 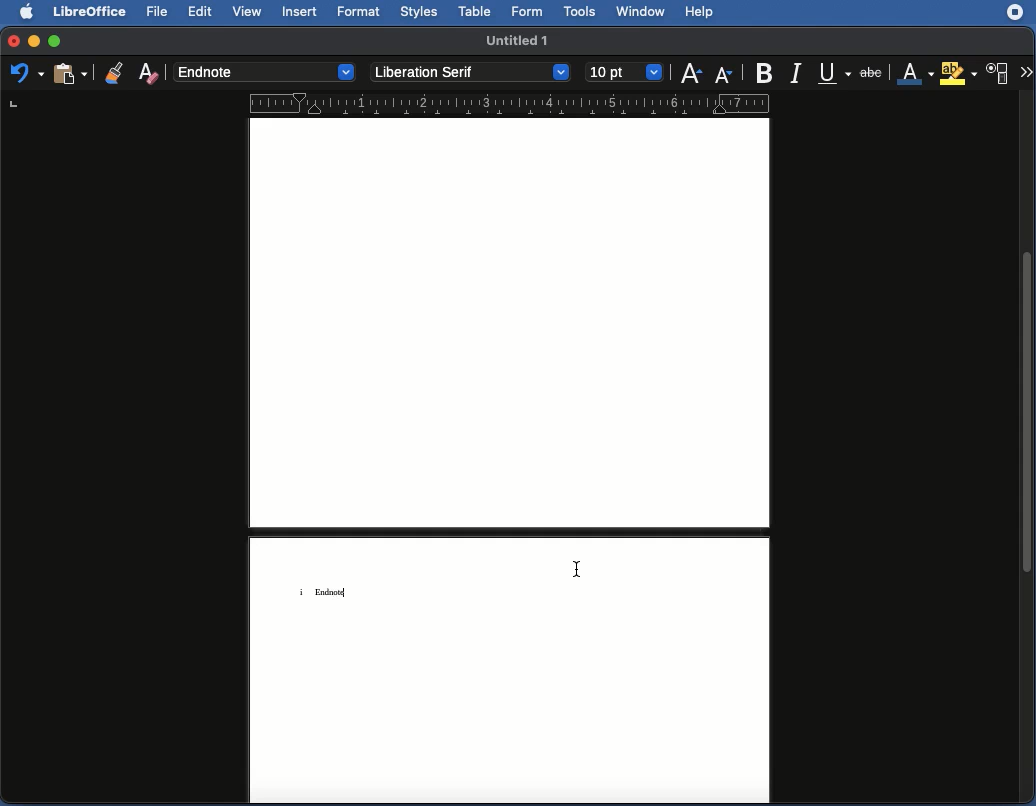 What do you see at coordinates (1028, 449) in the screenshot?
I see `Scroll` at bounding box center [1028, 449].